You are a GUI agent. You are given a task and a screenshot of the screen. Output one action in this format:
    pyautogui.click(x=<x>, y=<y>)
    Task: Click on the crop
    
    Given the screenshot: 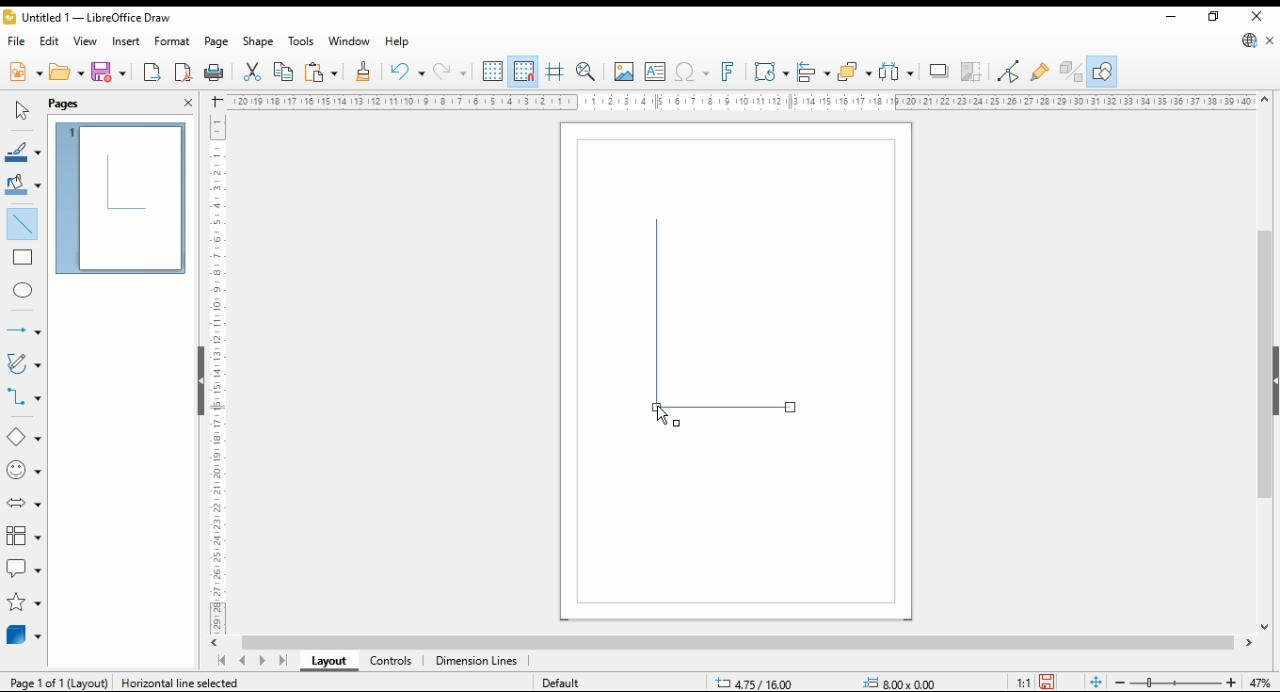 What is the action you would take?
    pyautogui.click(x=974, y=72)
    